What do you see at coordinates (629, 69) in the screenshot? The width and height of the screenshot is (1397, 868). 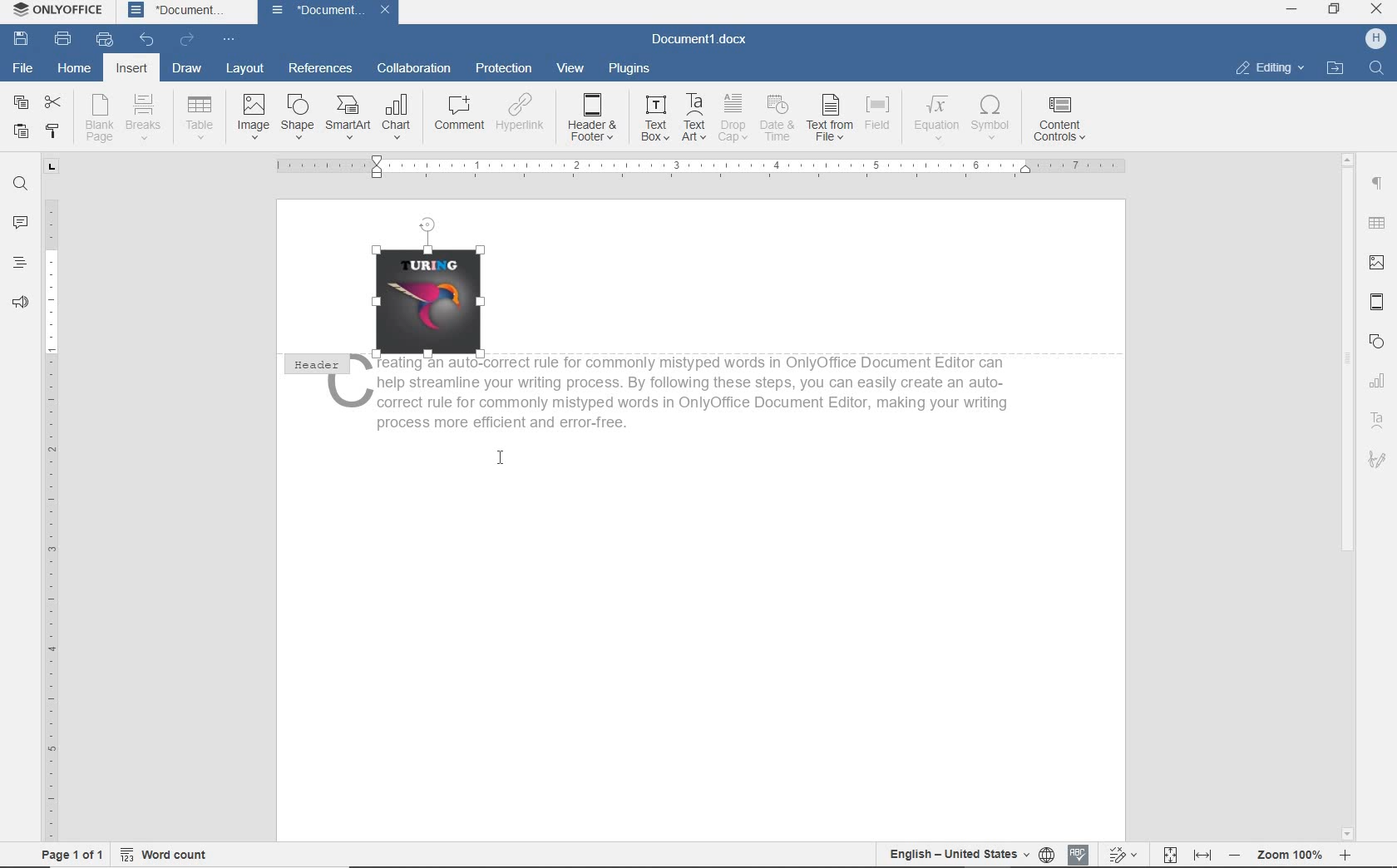 I see `PLUGINS` at bounding box center [629, 69].